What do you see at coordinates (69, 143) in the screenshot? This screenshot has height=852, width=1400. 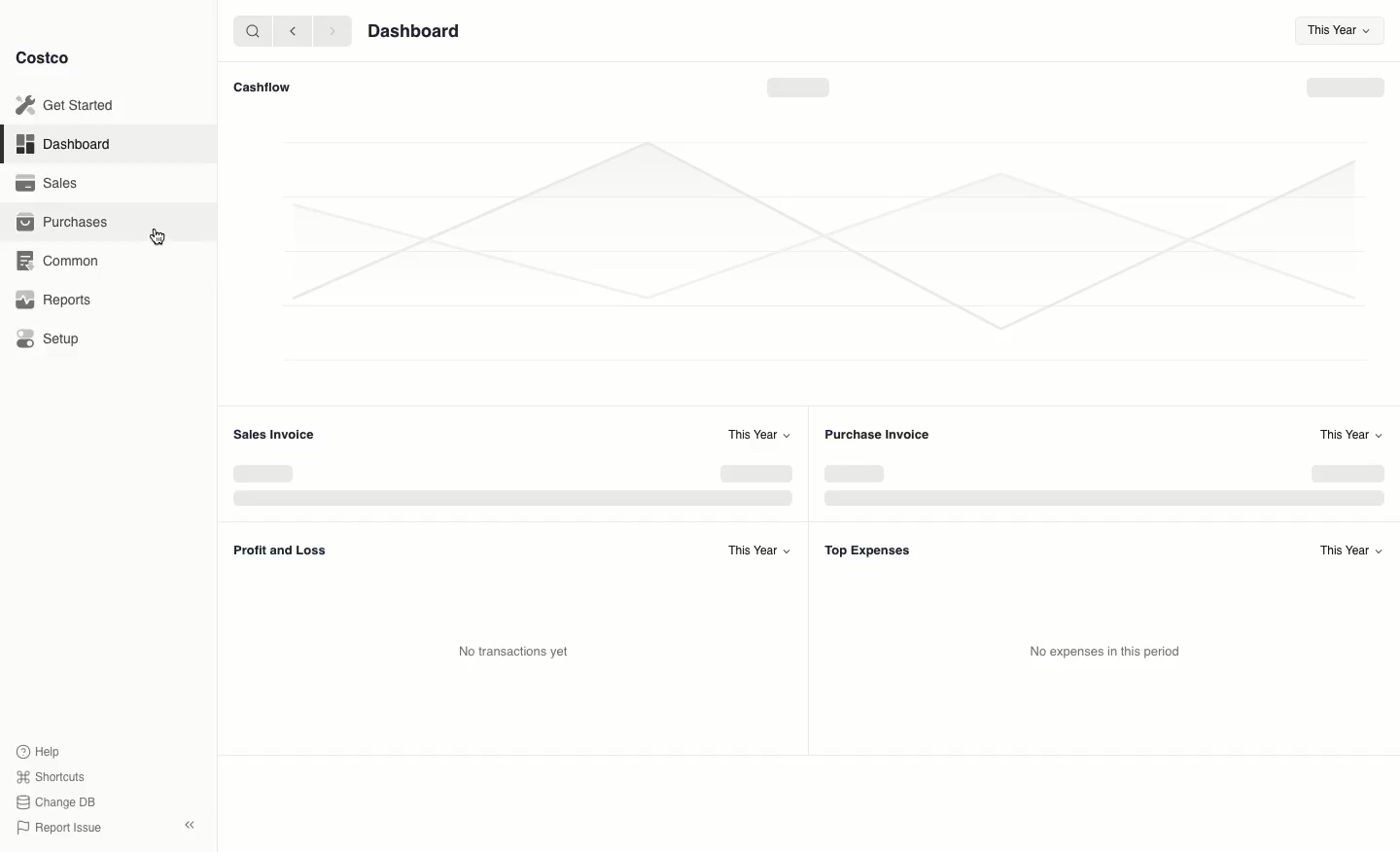 I see `Dashboard` at bounding box center [69, 143].